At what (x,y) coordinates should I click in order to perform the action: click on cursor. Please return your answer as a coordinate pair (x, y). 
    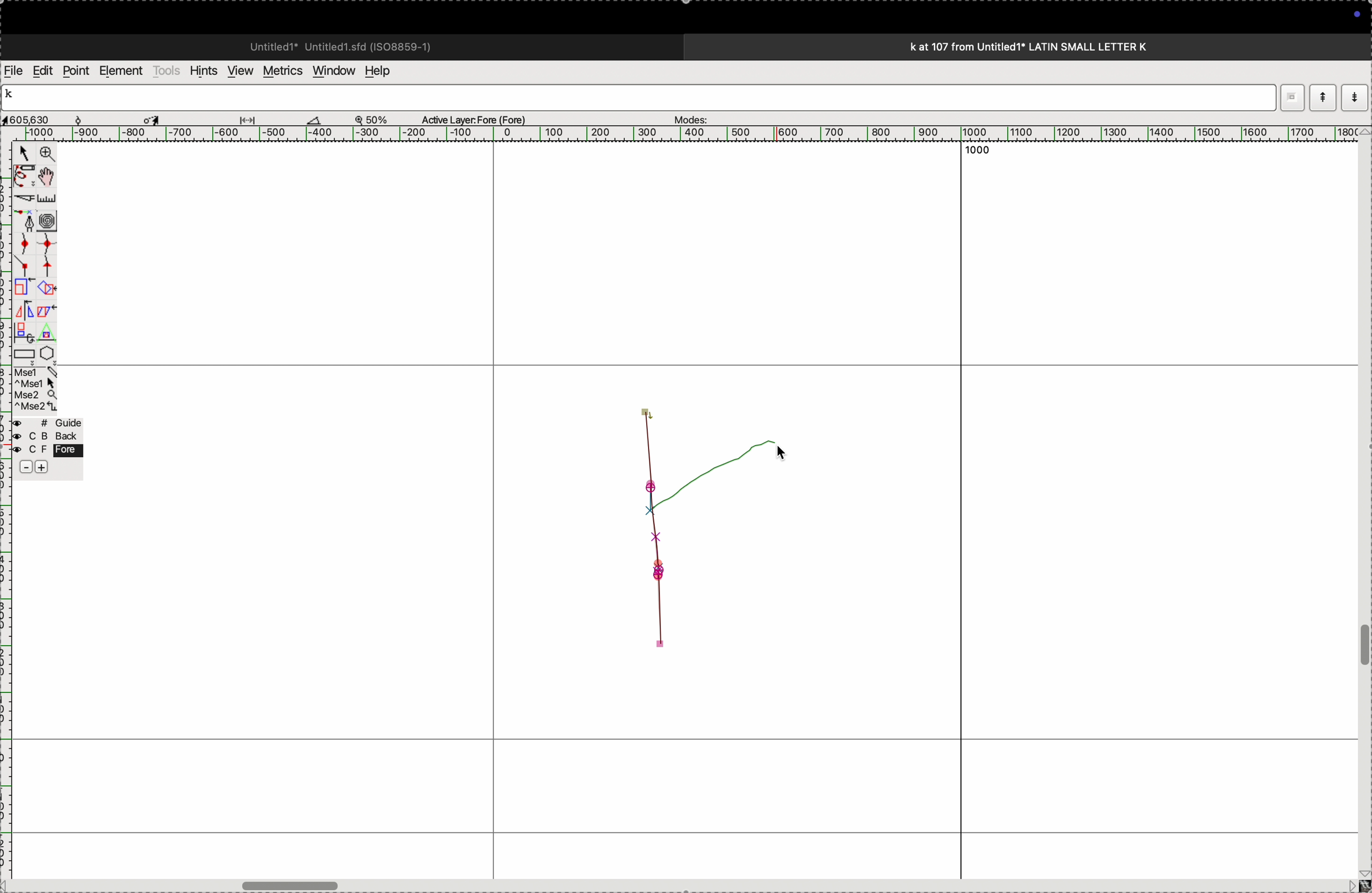
    Looking at the image, I should click on (24, 155).